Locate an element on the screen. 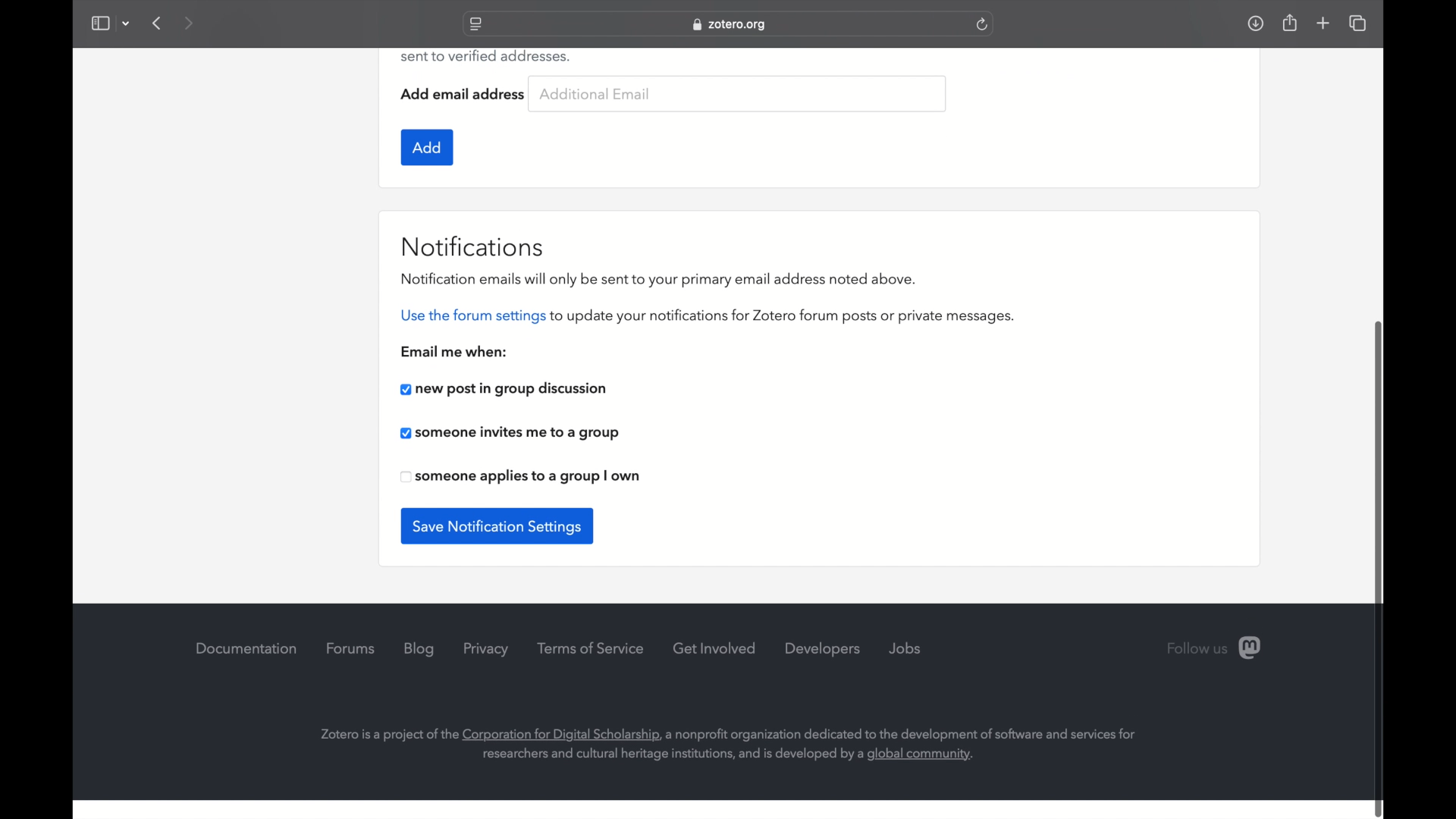 The image size is (1456, 819). next is located at coordinates (190, 23).